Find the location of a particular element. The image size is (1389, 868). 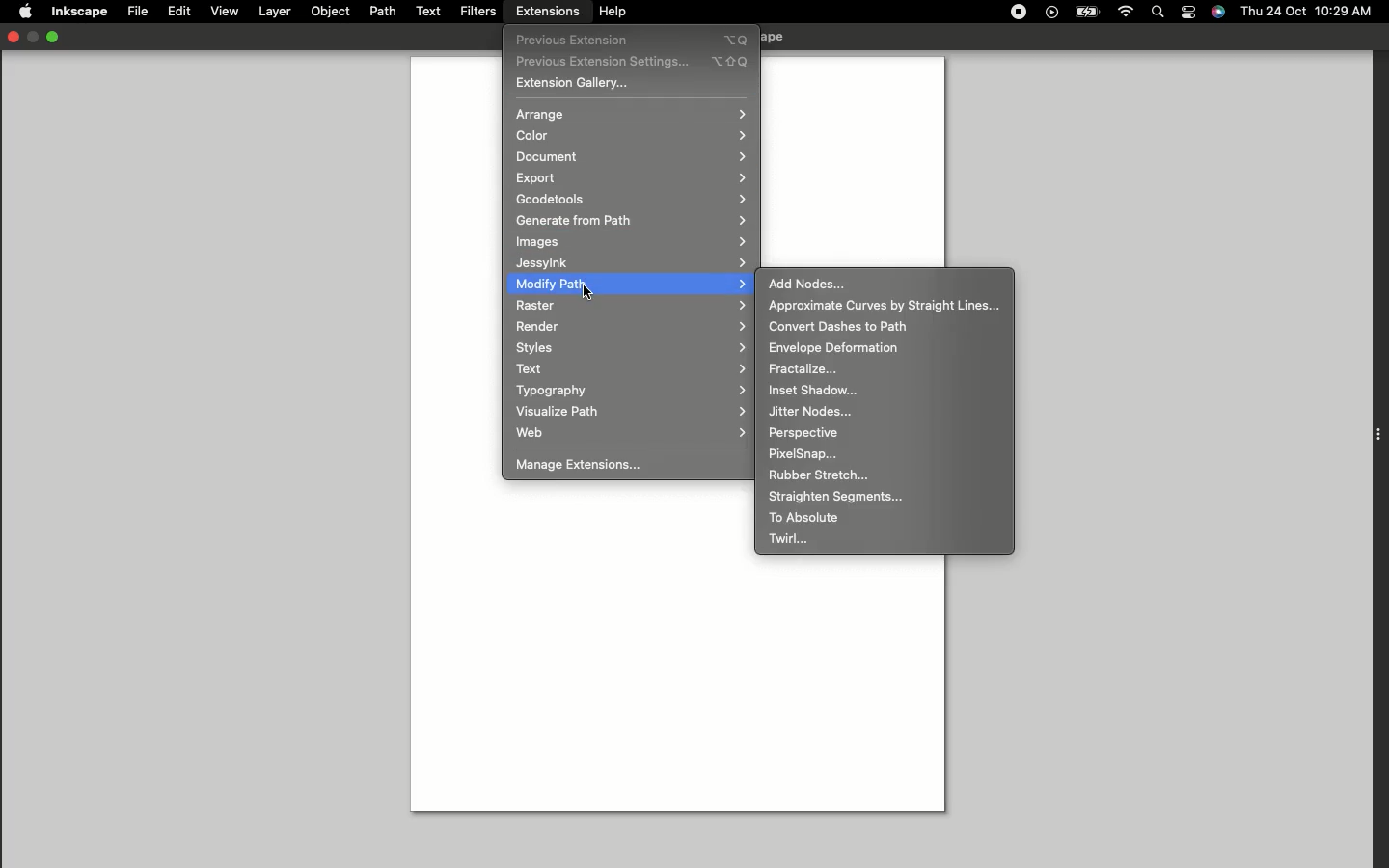

Internet is located at coordinates (1123, 12).